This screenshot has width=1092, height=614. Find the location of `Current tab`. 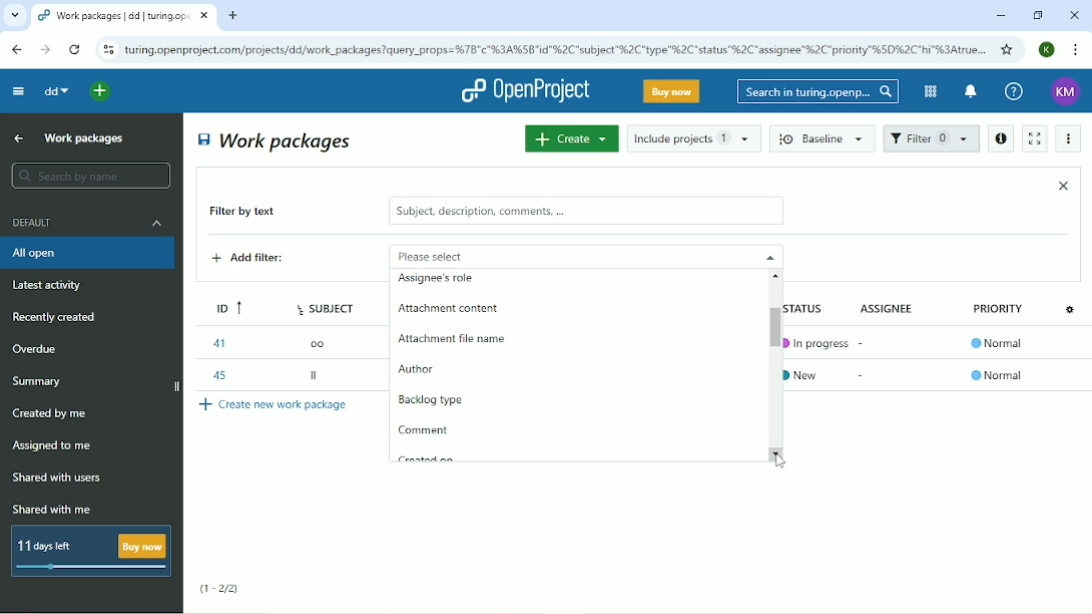

Current tab is located at coordinates (124, 16).